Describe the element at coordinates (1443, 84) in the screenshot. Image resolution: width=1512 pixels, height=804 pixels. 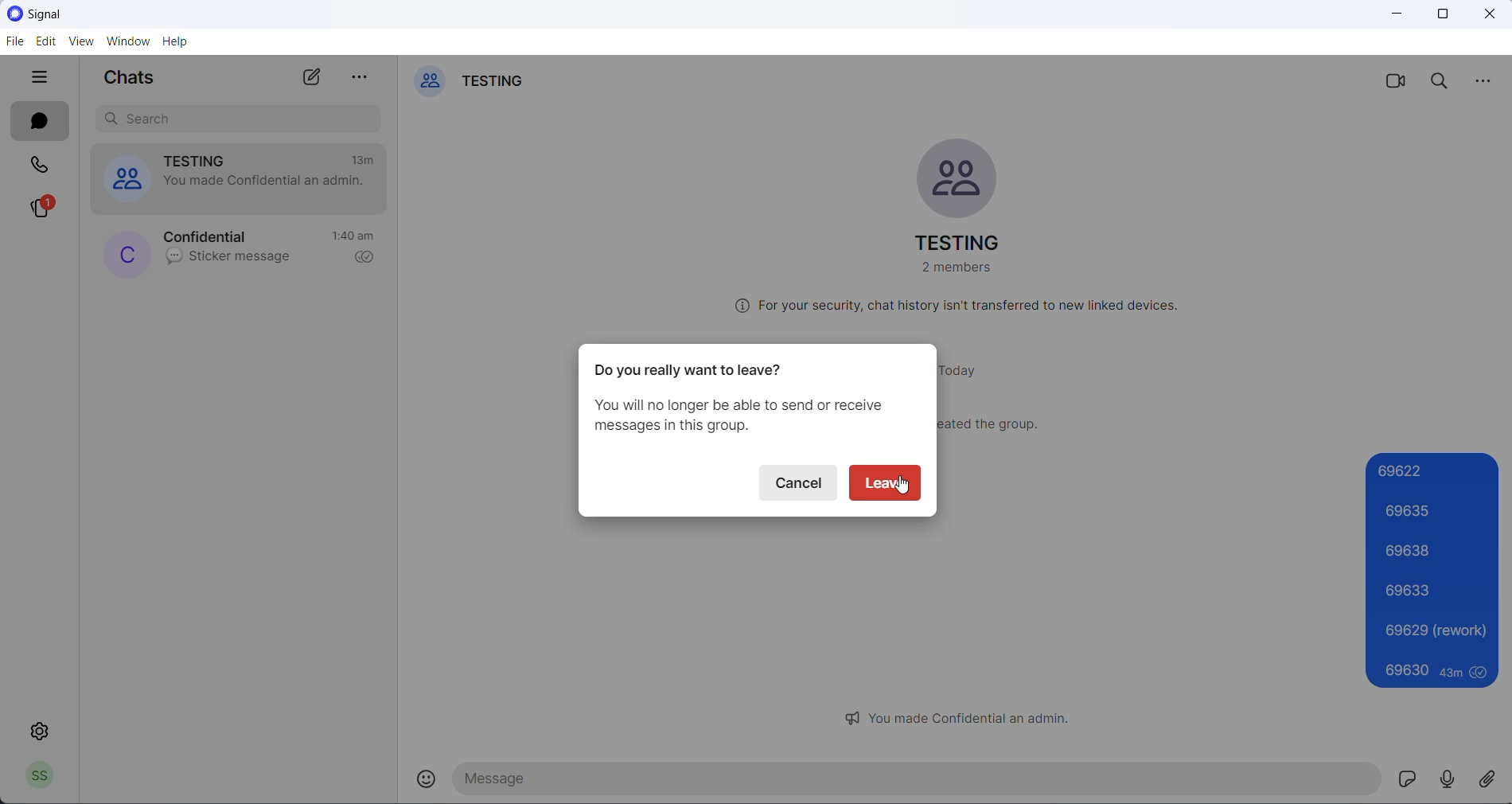
I see `search in chat` at that location.